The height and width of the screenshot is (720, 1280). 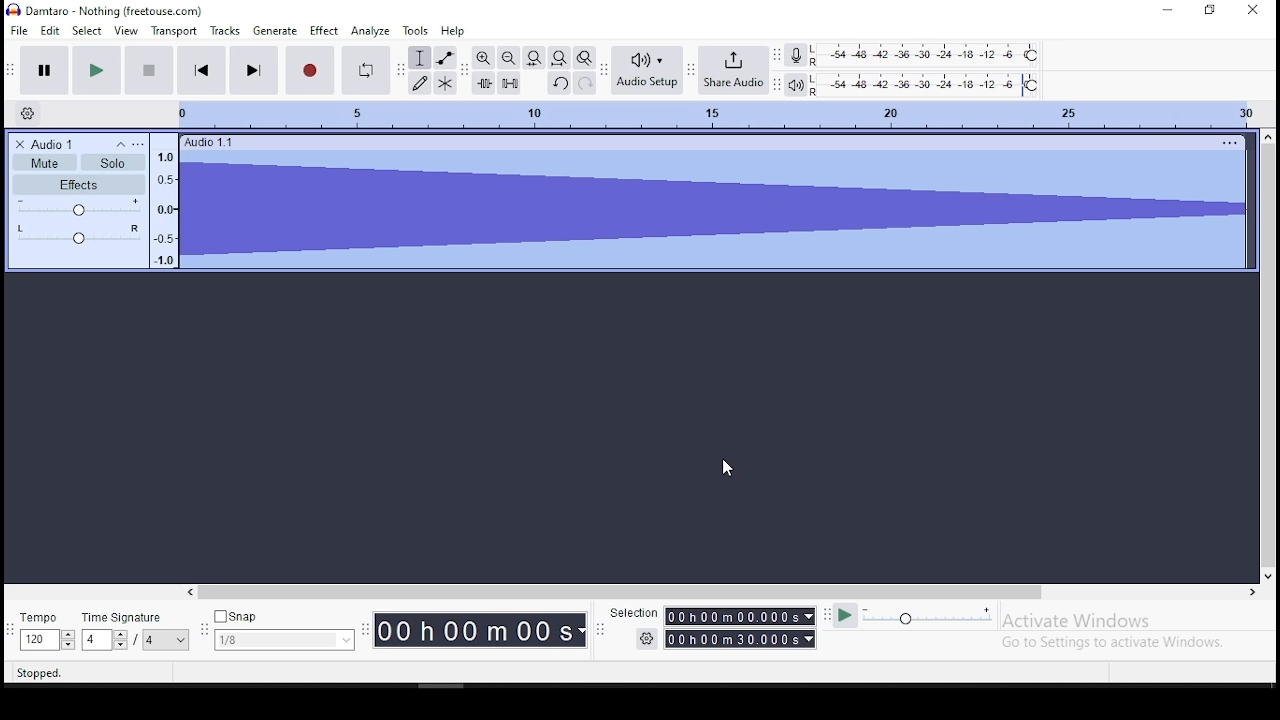 What do you see at coordinates (482, 629) in the screenshot?
I see `duration` at bounding box center [482, 629].